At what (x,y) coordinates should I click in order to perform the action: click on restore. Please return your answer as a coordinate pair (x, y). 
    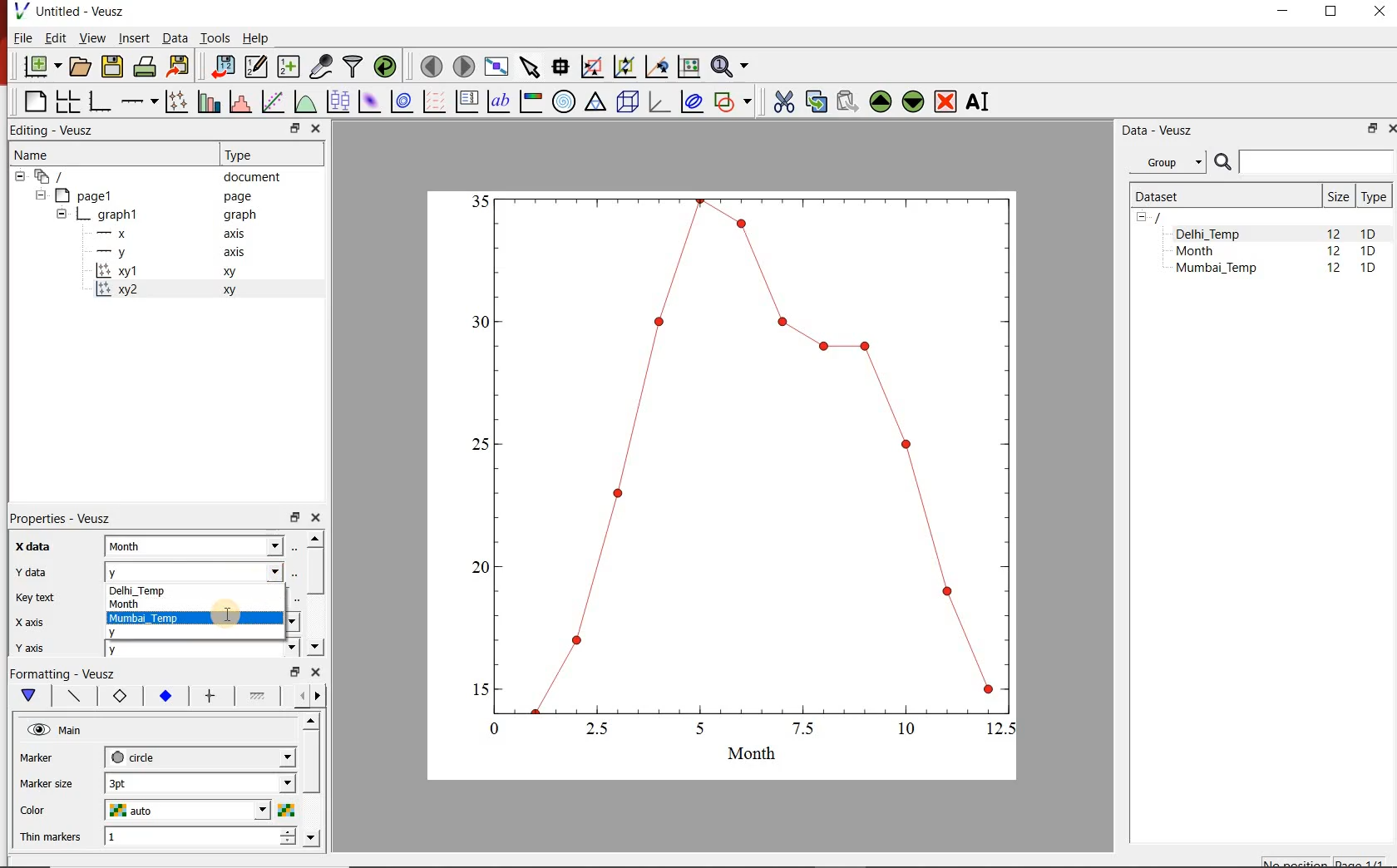
    Looking at the image, I should click on (297, 671).